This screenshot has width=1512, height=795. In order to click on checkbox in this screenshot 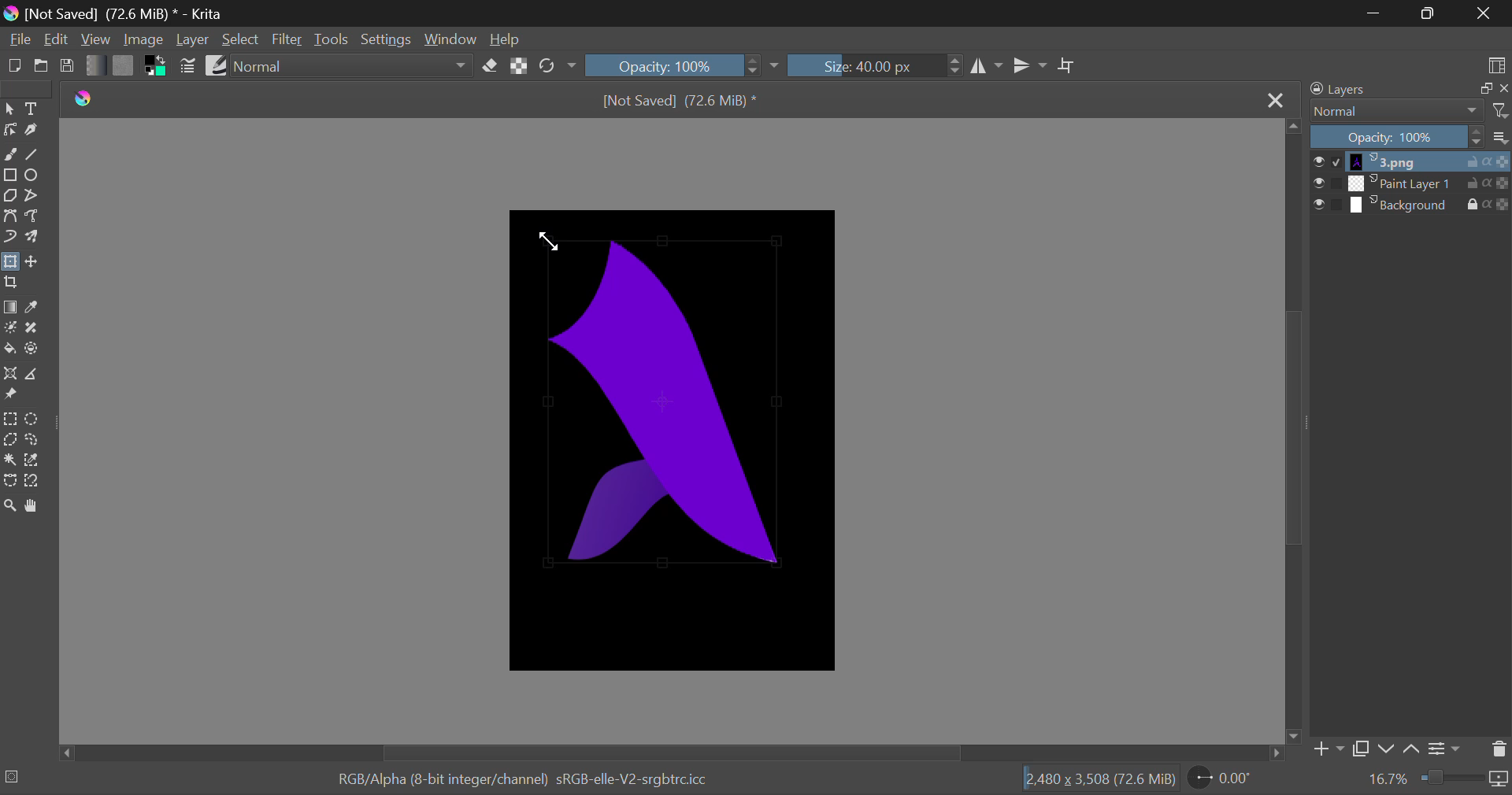, I will do `click(1328, 162)`.